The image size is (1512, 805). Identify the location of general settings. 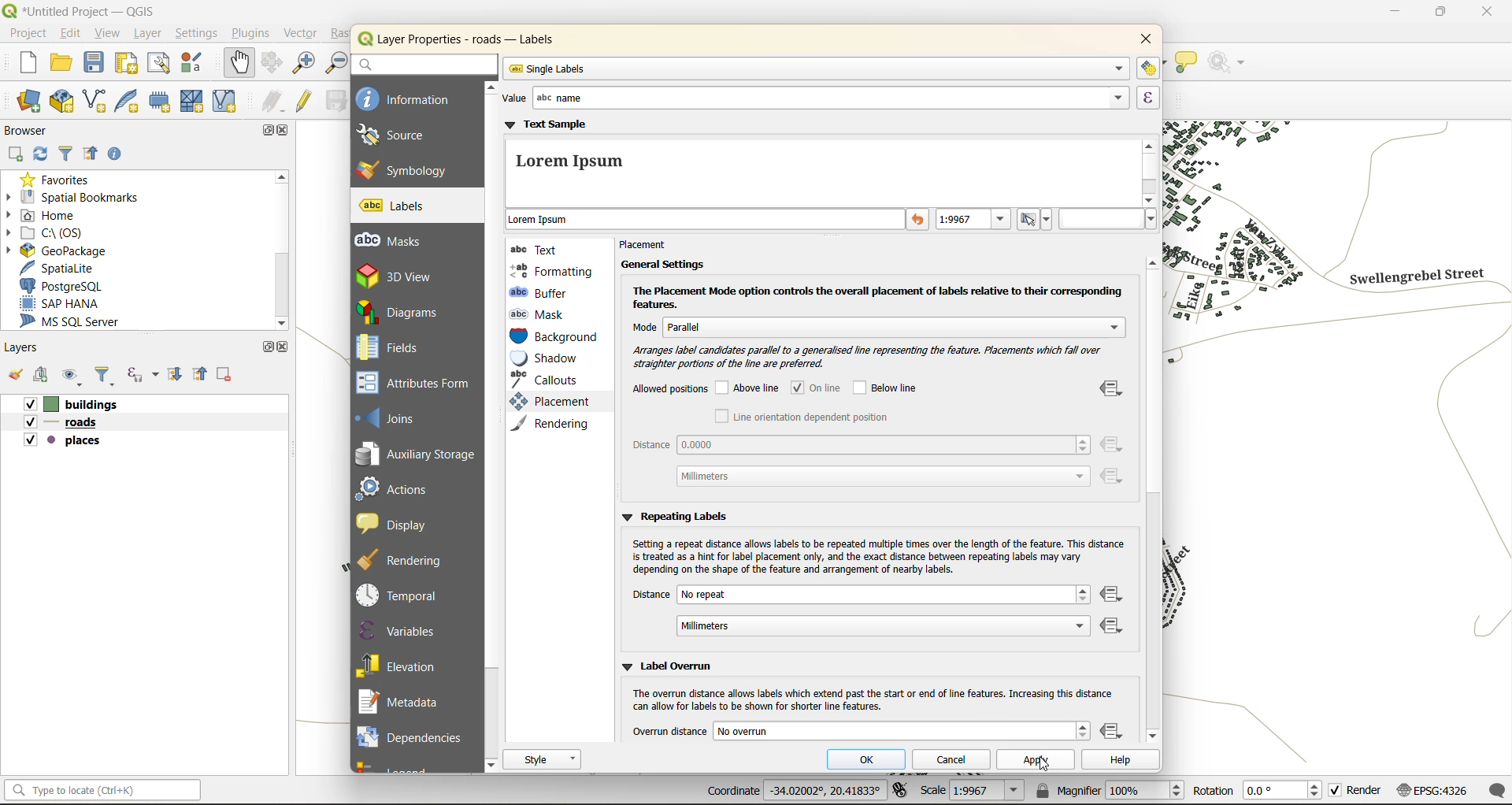
(661, 264).